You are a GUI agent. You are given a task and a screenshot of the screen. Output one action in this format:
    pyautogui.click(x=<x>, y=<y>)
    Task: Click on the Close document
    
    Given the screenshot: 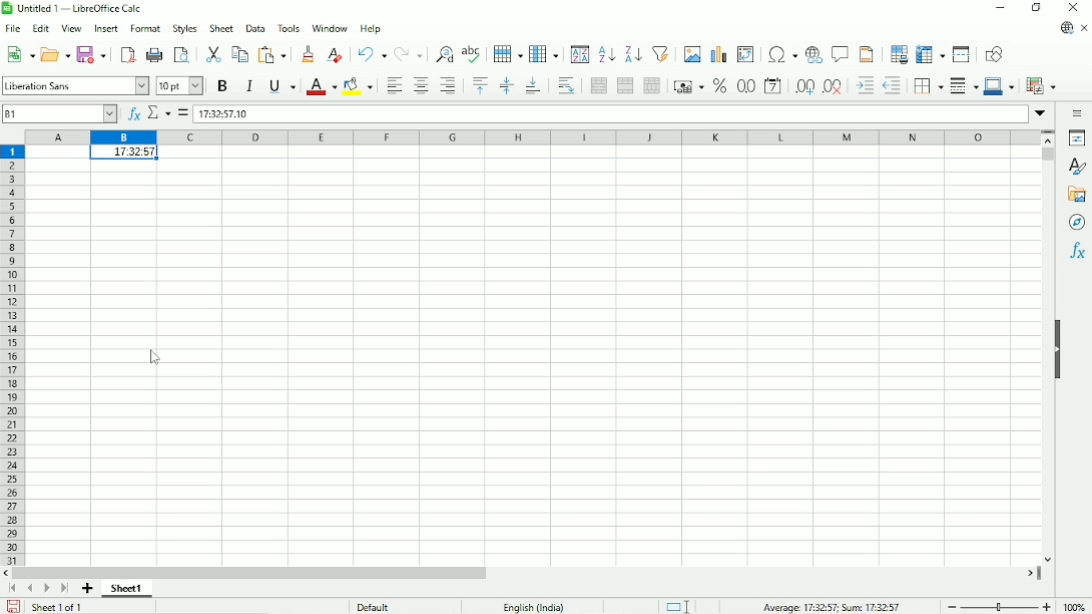 What is the action you would take?
    pyautogui.click(x=1085, y=28)
    